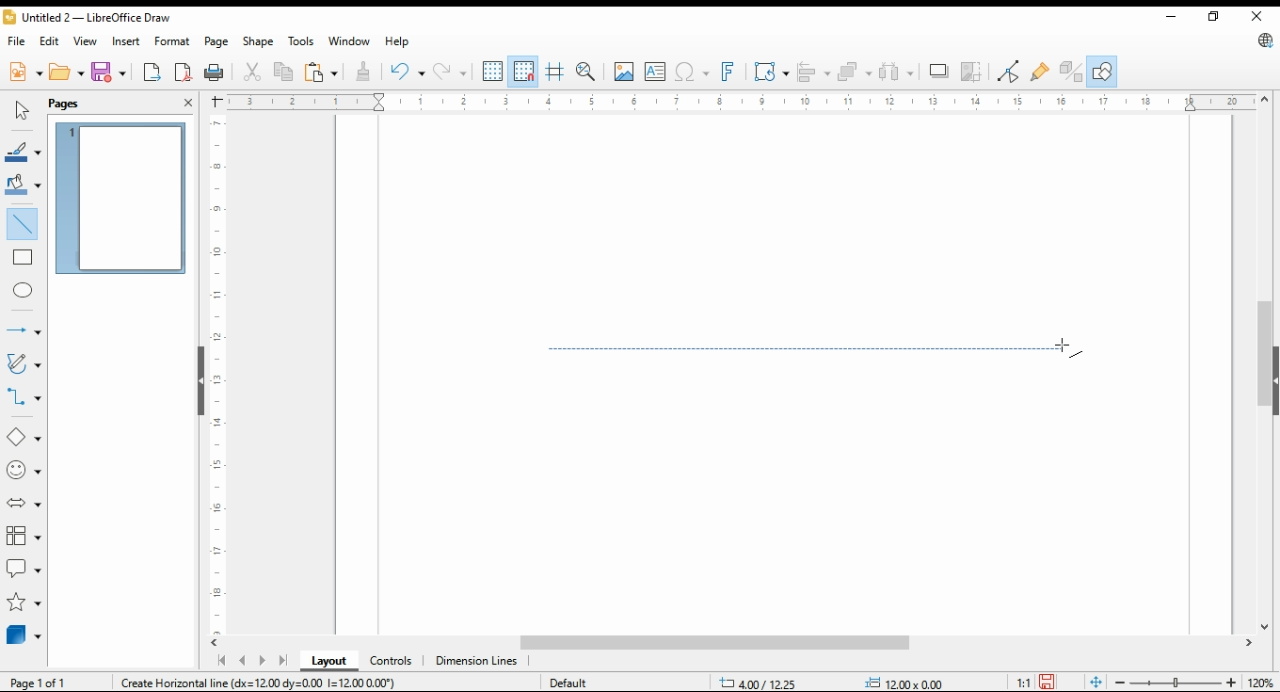 The image size is (1280, 692). What do you see at coordinates (524, 72) in the screenshot?
I see `snap to grids` at bounding box center [524, 72].